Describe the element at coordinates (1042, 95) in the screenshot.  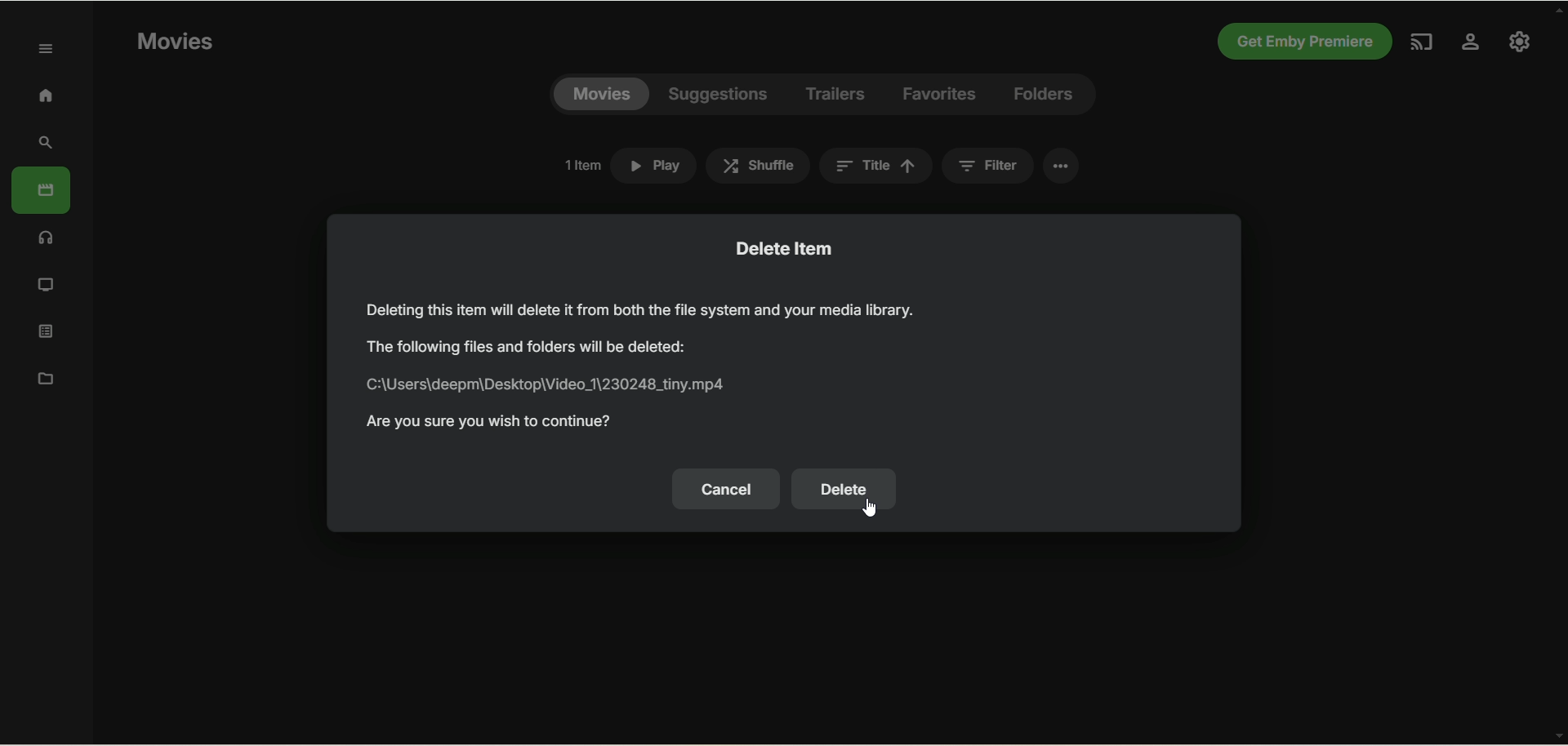
I see `folders` at that location.